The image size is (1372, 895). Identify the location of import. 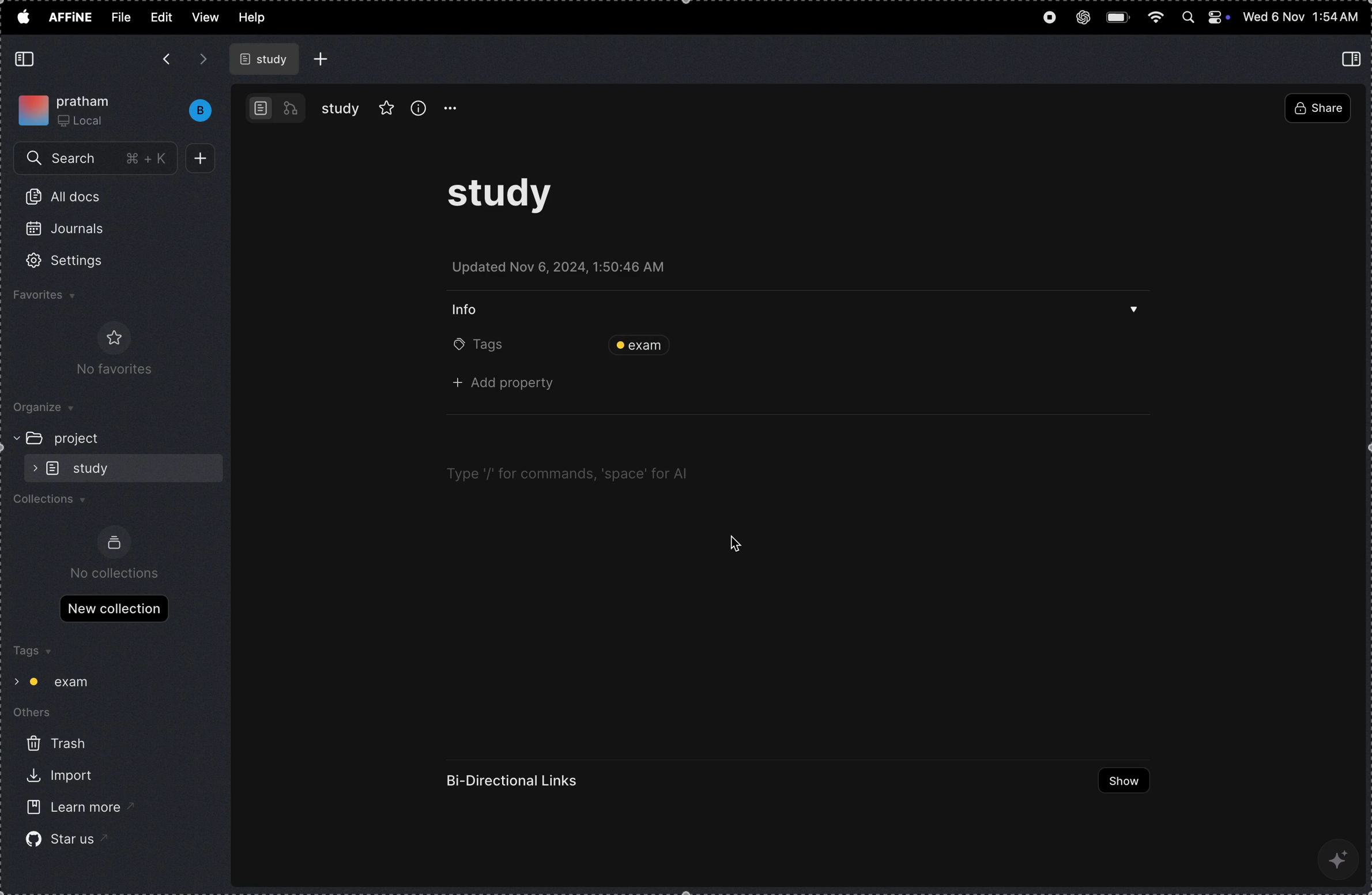
(57, 778).